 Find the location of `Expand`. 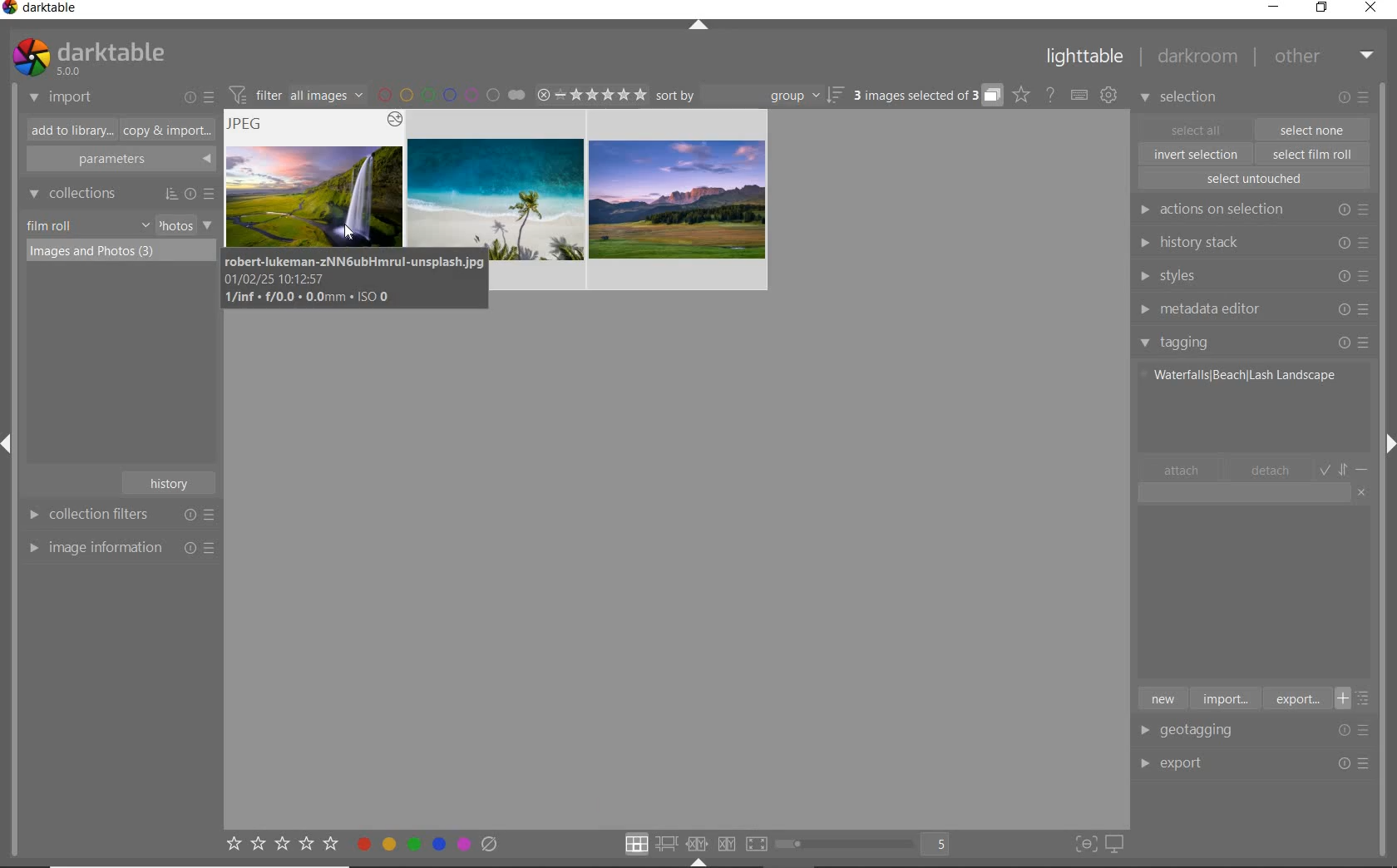

Expand is located at coordinates (1387, 440).